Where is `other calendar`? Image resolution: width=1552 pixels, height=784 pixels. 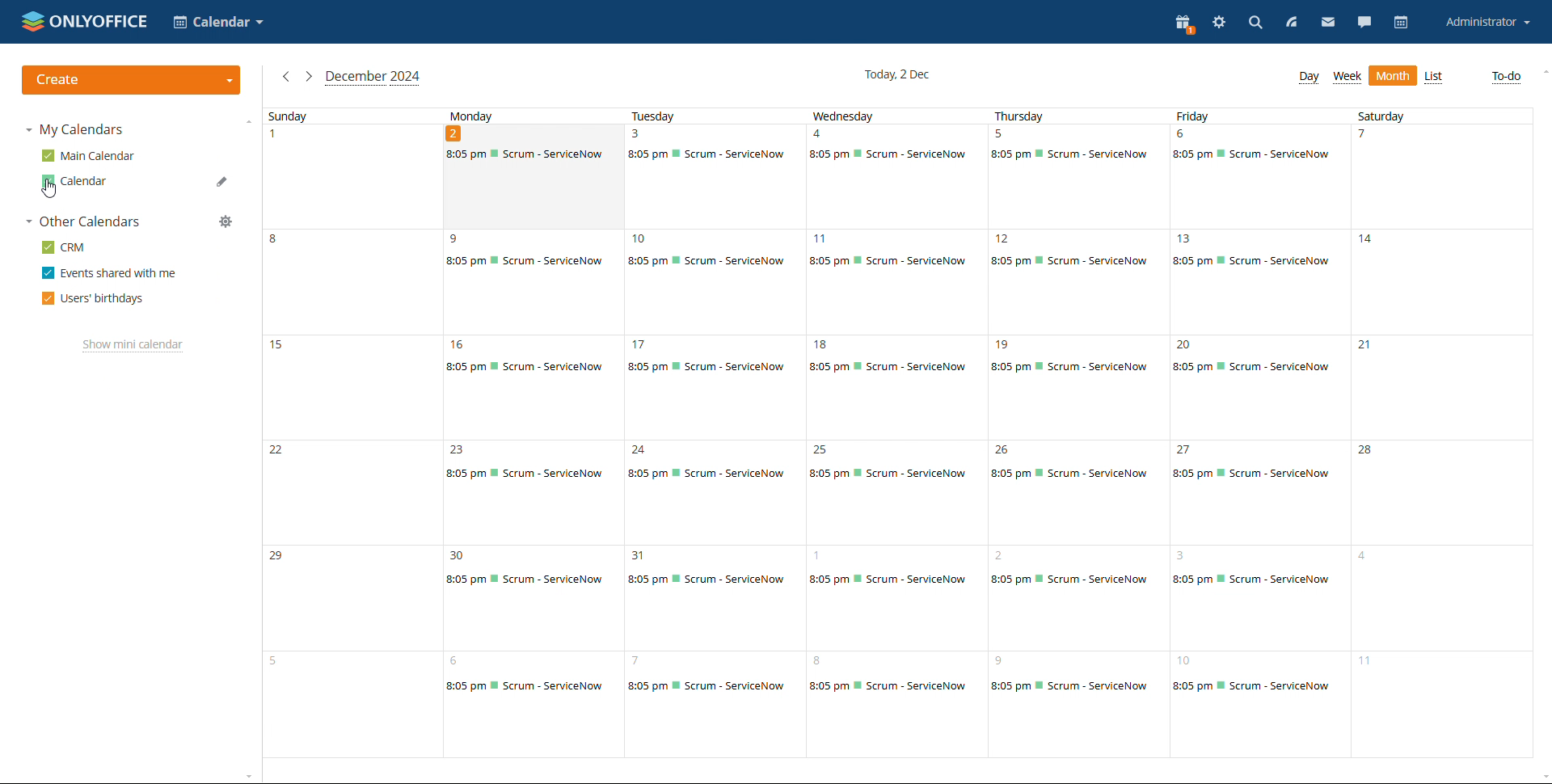
other calendar is located at coordinates (85, 181).